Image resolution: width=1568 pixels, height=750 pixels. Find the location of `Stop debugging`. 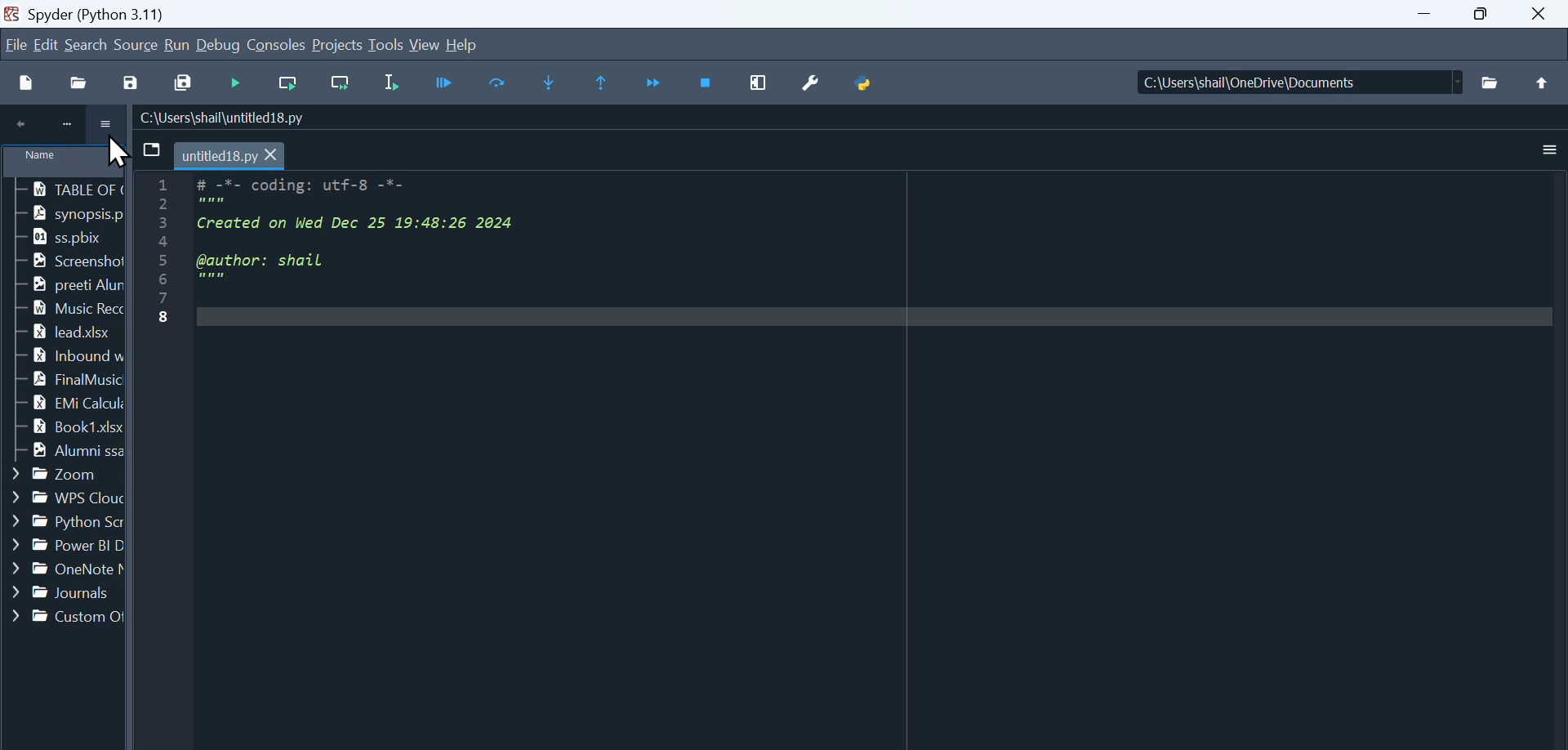

Stop debugging is located at coordinates (708, 83).